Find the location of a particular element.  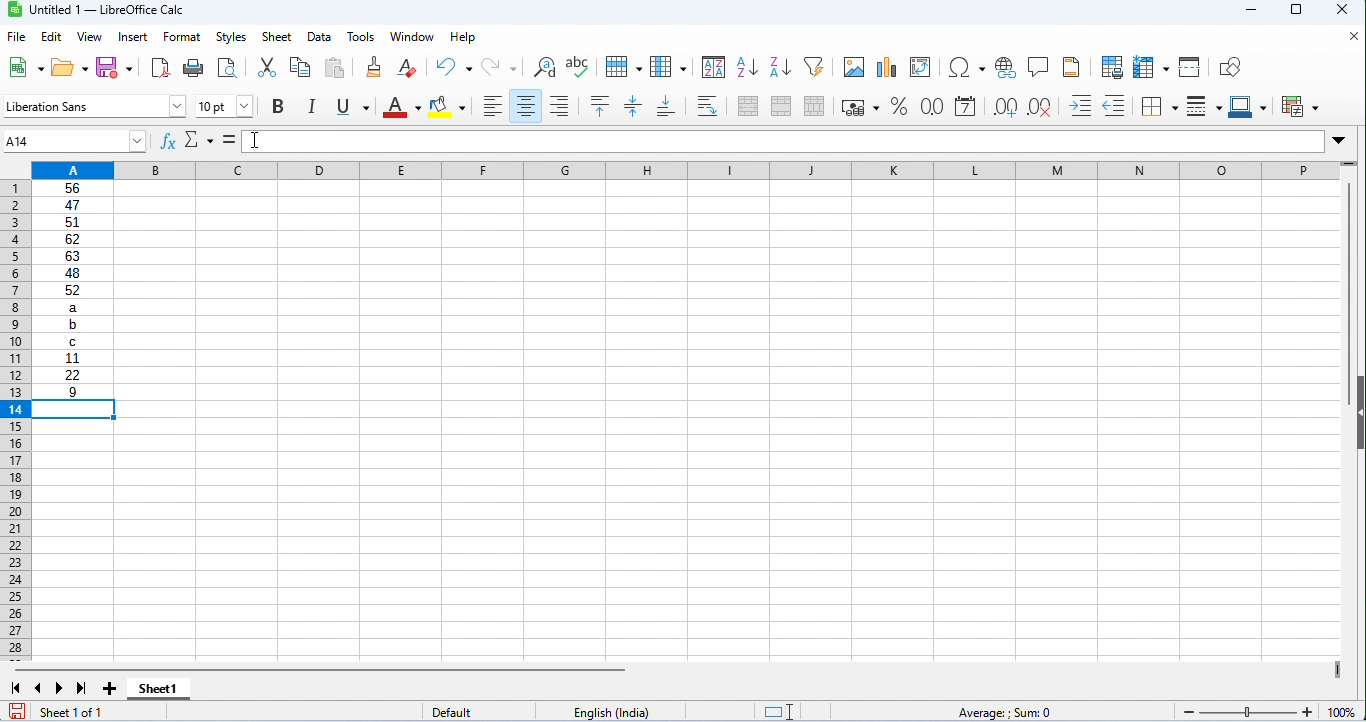

Untitled 1 — LibreOffice Calc is located at coordinates (107, 10).